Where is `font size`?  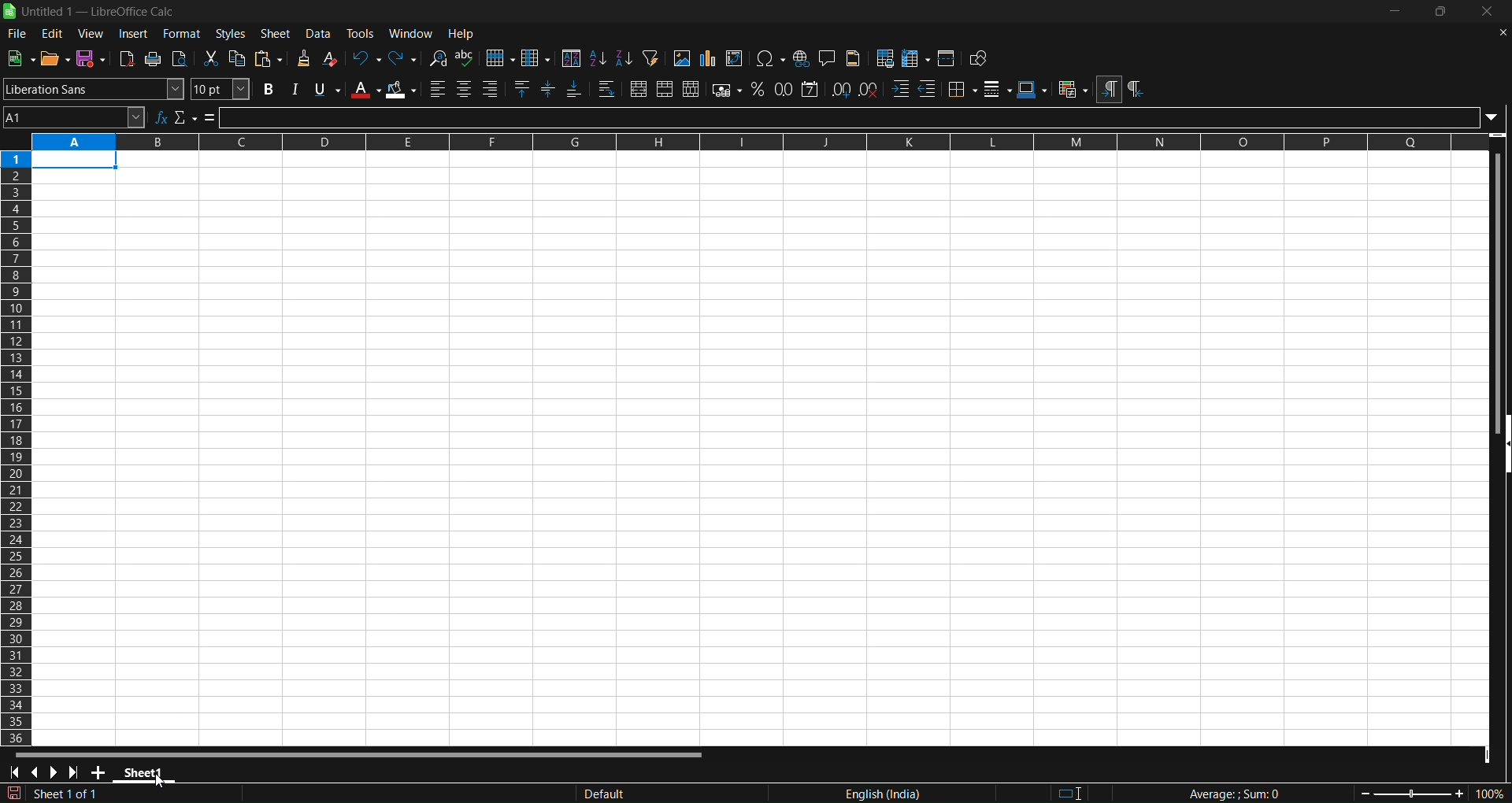 font size is located at coordinates (221, 89).